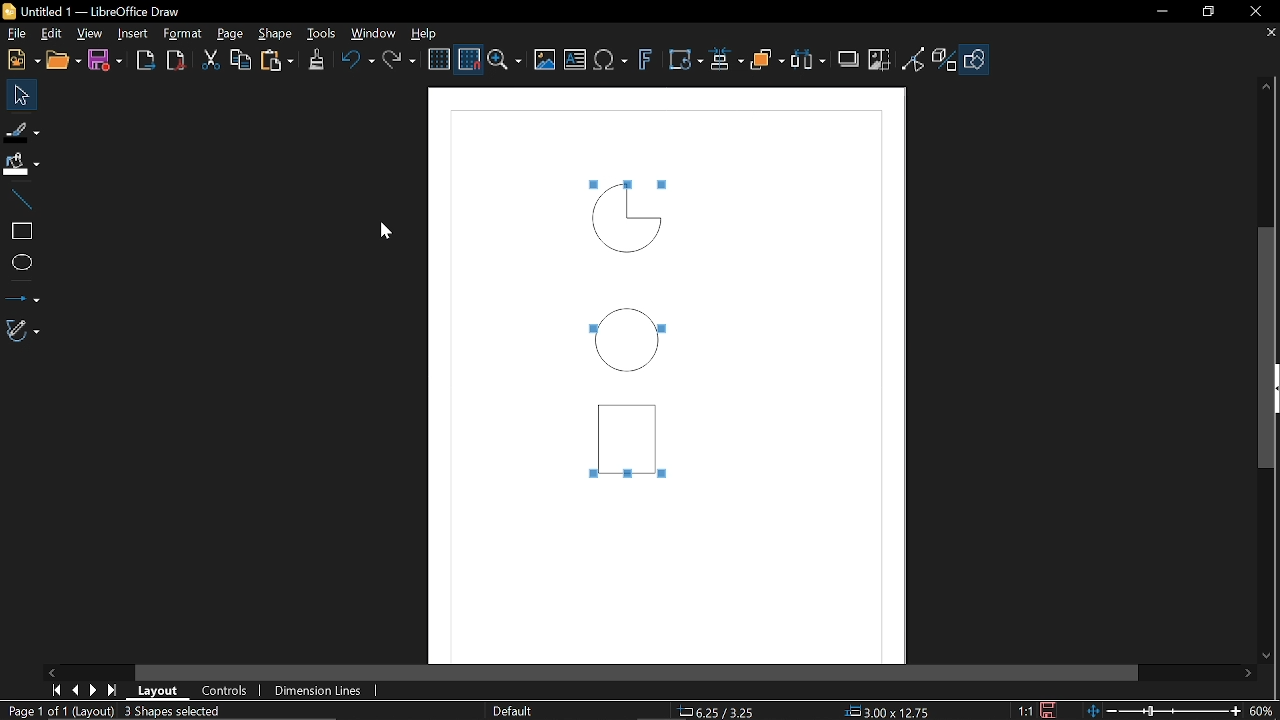  What do you see at coordinates (889, 712) in the screenshot?
I see `3.00x12.75 (object size)` at bounding box center [889, 712].